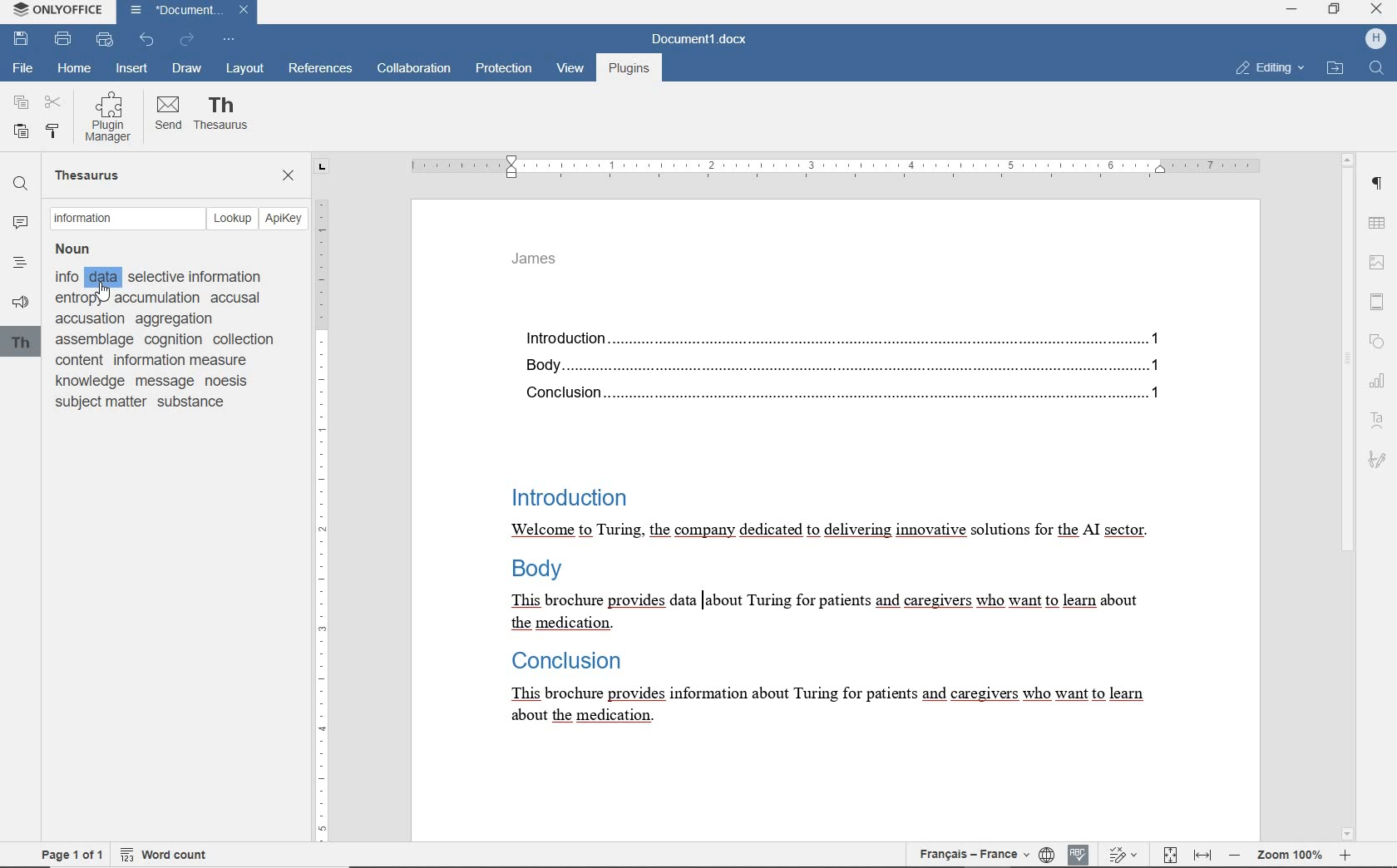 Image resolution: width=1397 pixels, height=868 pixels. What do you see at coordinates (1379, 457) in the screenshot?
I see `SIGNATURE` at bounding box center [1379, 457].